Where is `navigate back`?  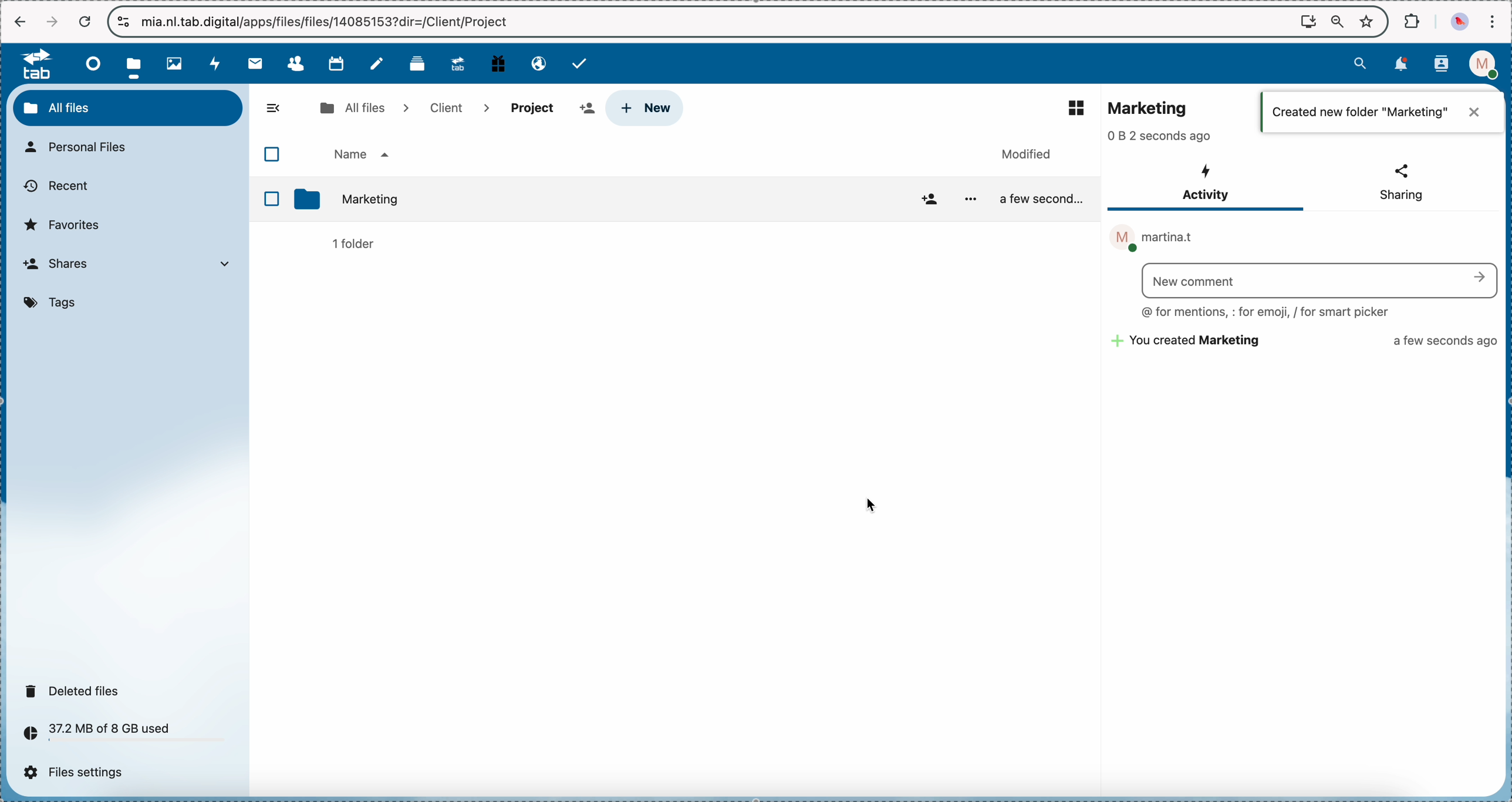
navigate back is located at coordinates (21, 23).